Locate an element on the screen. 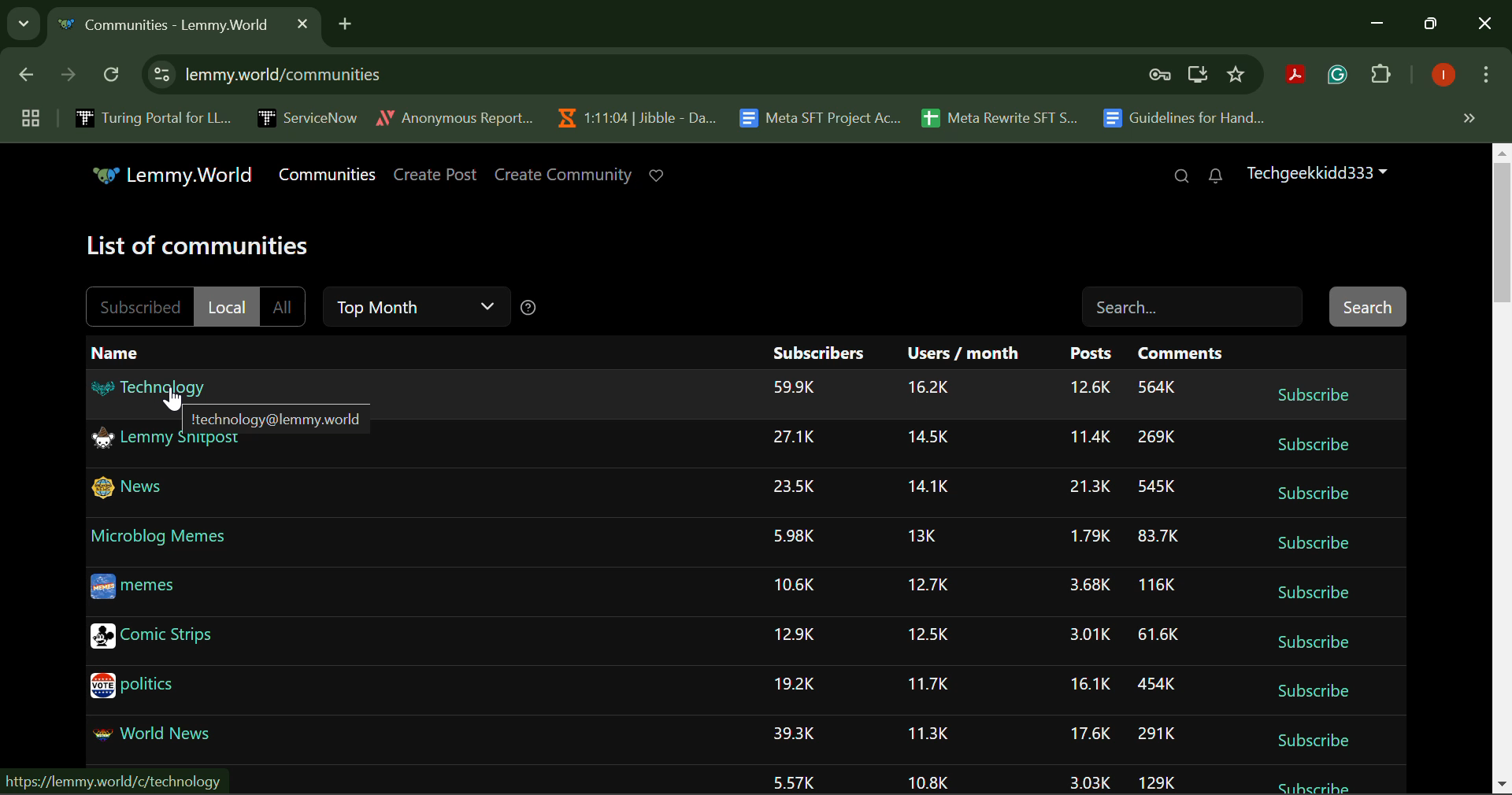  Install Desktop Application is located at coordinates (1197, 76).